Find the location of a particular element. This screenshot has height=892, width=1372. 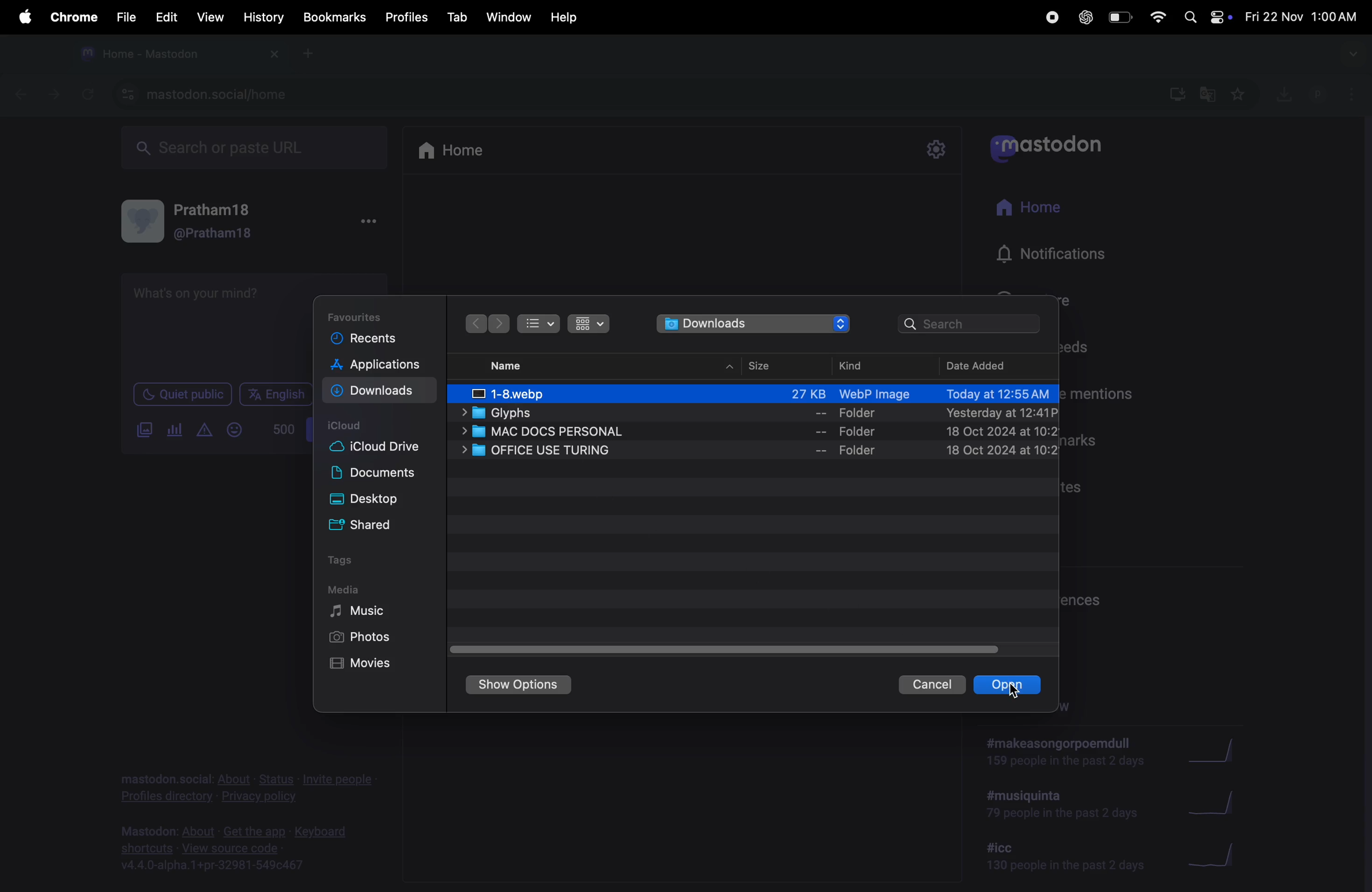

Horizontal scroll bar is located at coordinates (726, 649).